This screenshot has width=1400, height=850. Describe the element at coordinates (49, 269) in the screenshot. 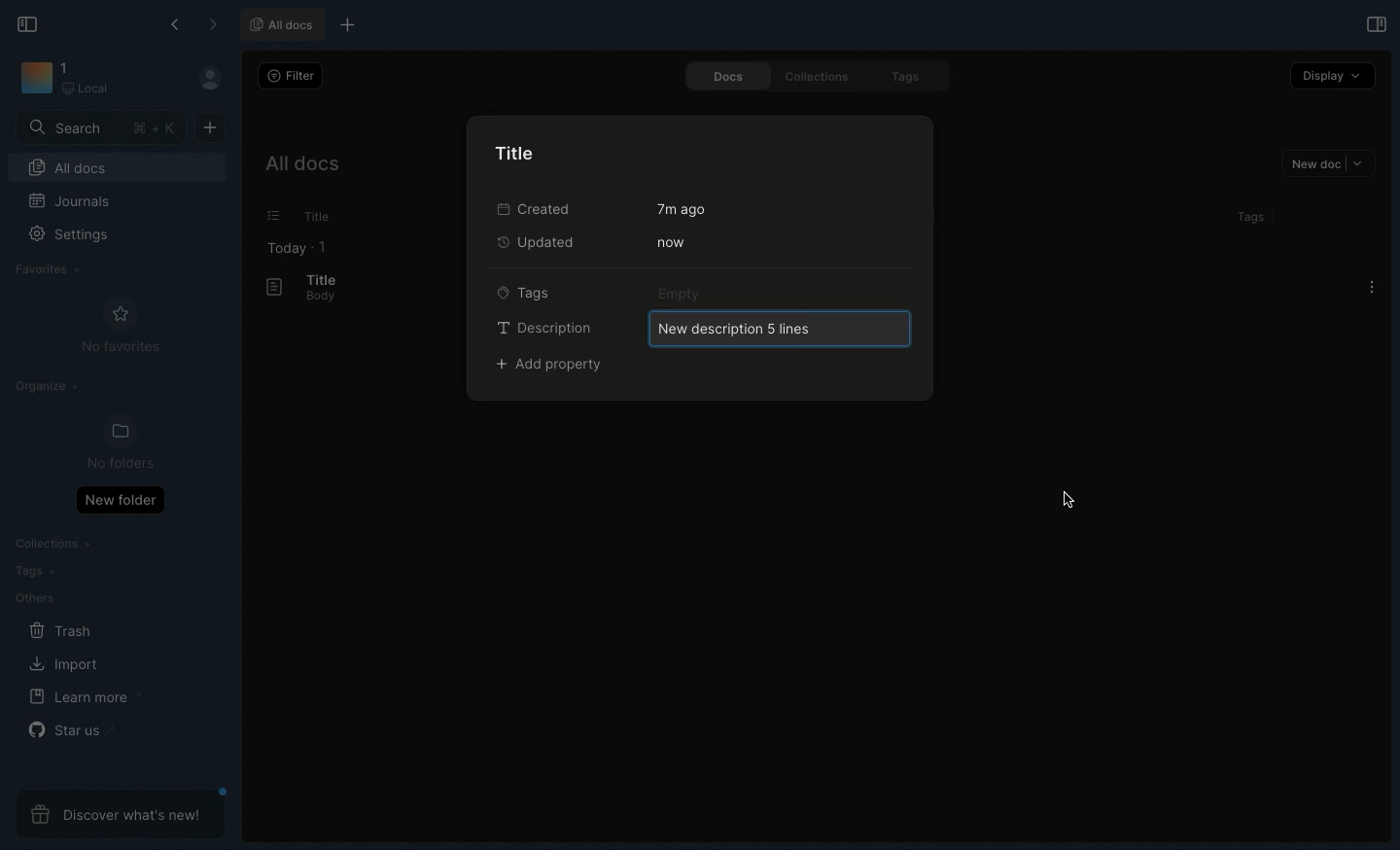

I see `Favorites` at that location.